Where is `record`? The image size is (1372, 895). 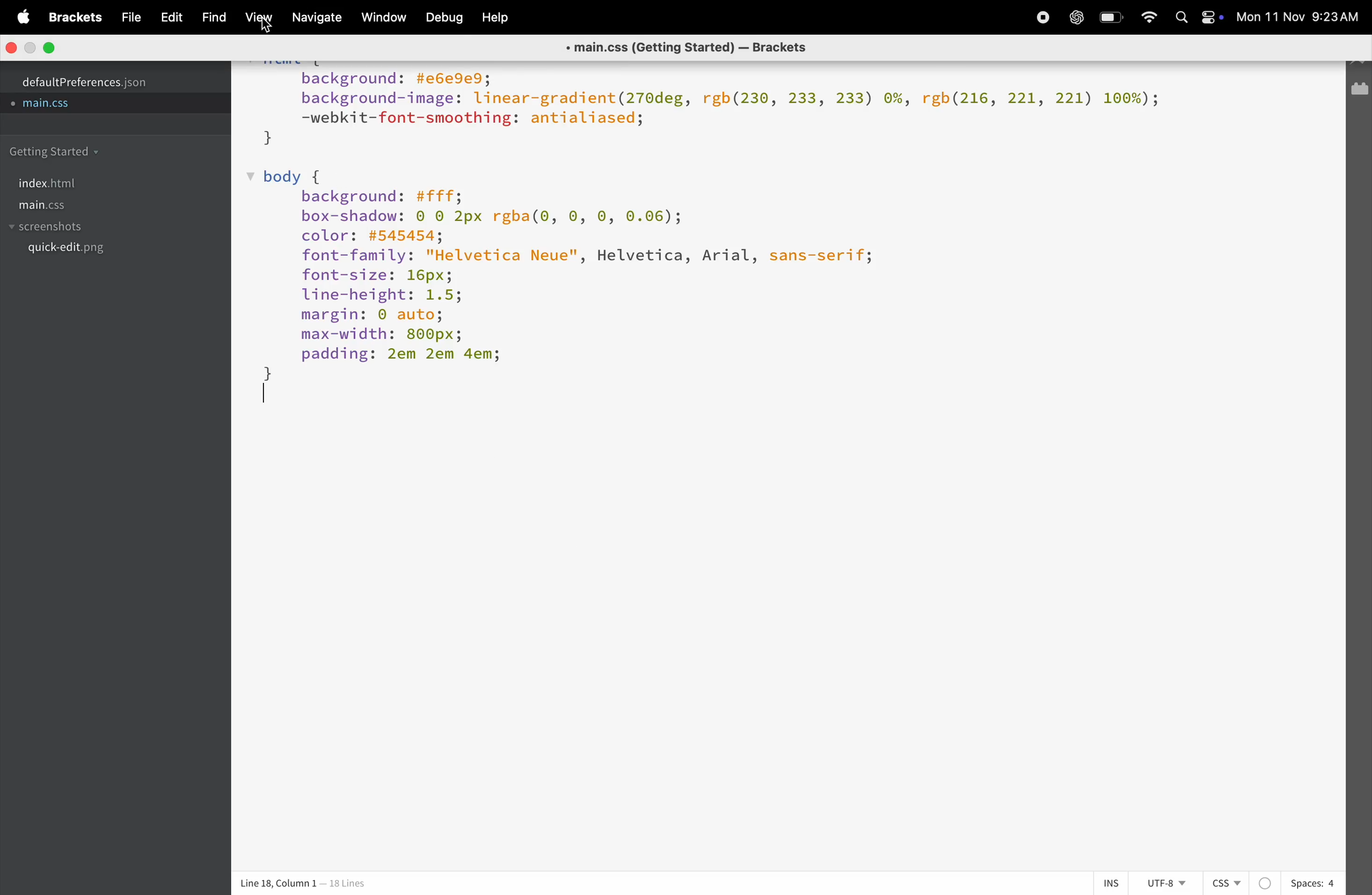
record is located at coordinates (1076, 18).